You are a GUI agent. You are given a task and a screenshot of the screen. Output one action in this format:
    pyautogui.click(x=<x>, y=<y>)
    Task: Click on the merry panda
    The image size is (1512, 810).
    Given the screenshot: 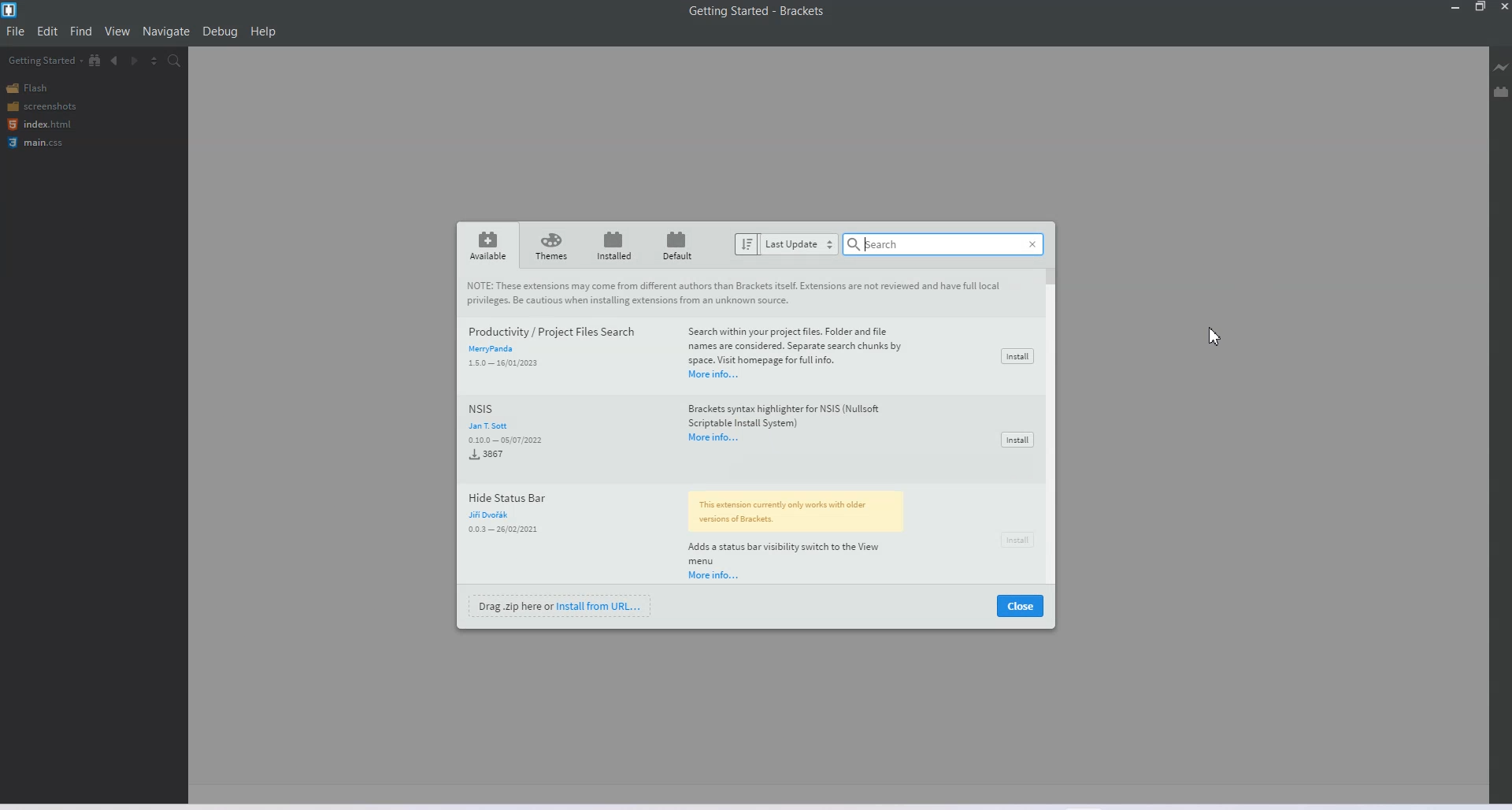 What is the action you would take?
    pyautogui.click(x=494, y=350)
    